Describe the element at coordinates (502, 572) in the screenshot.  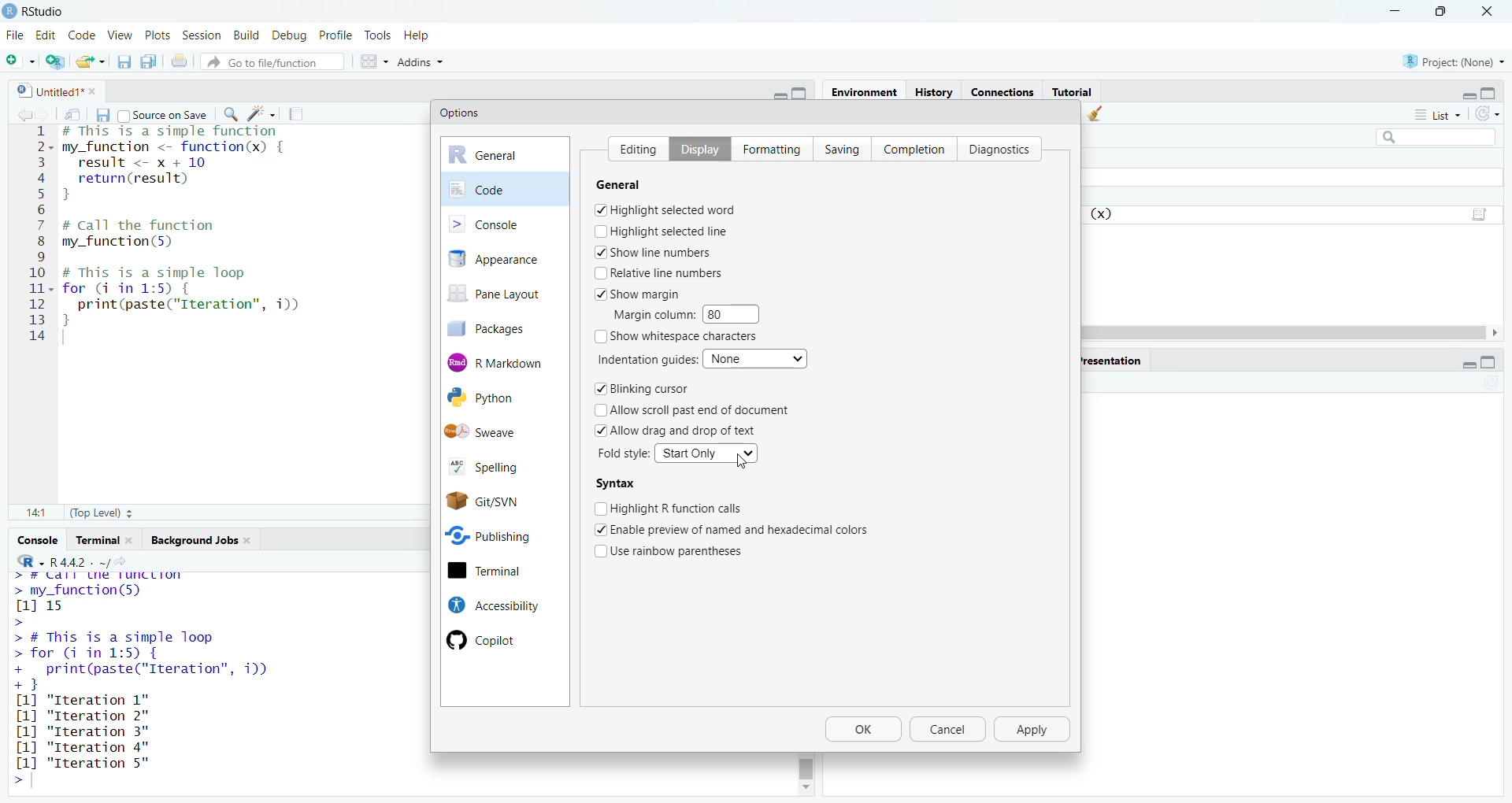
I see `terminal` at that location.